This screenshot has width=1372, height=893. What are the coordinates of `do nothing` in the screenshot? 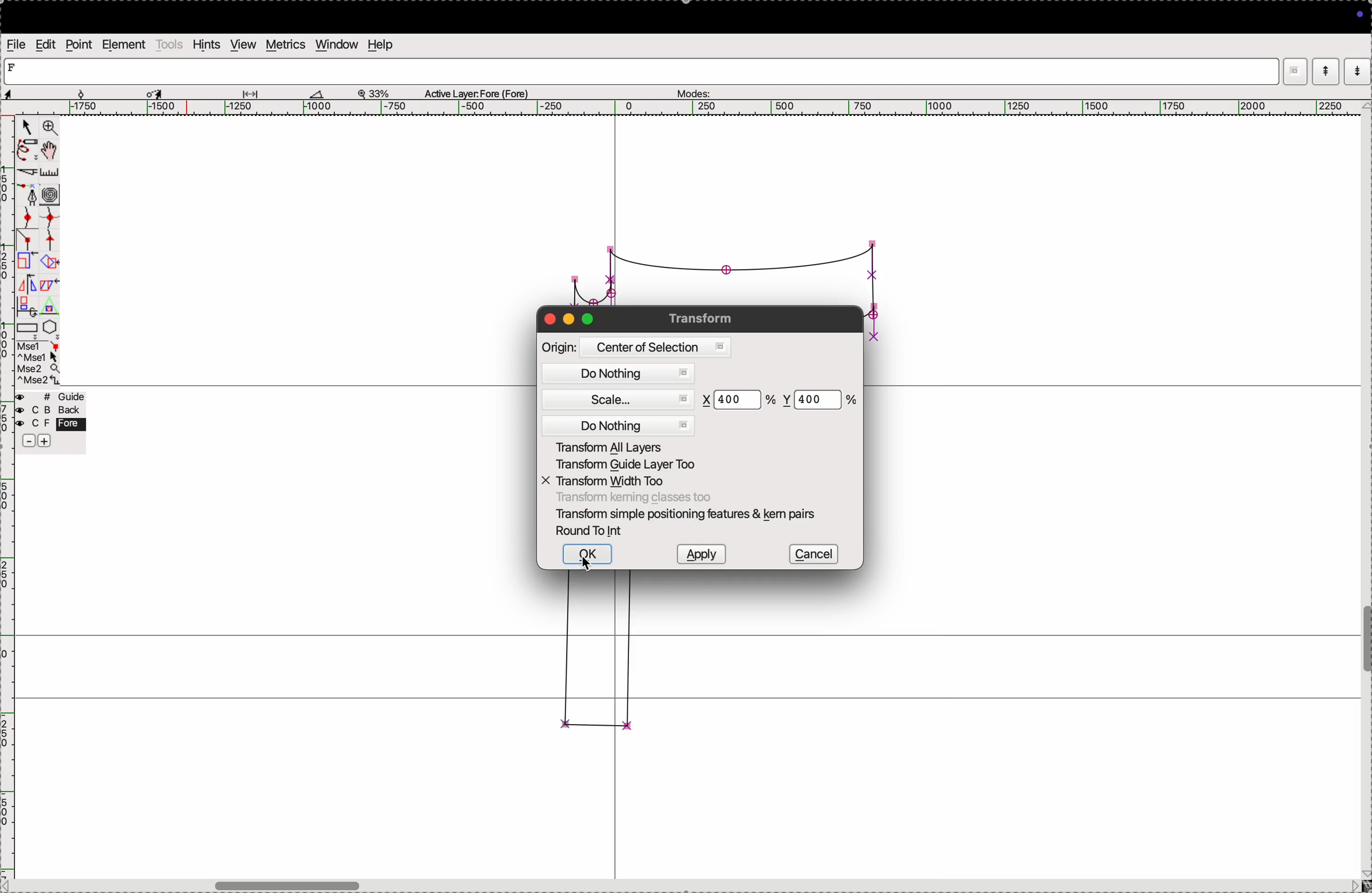 It's located at (621, 374).